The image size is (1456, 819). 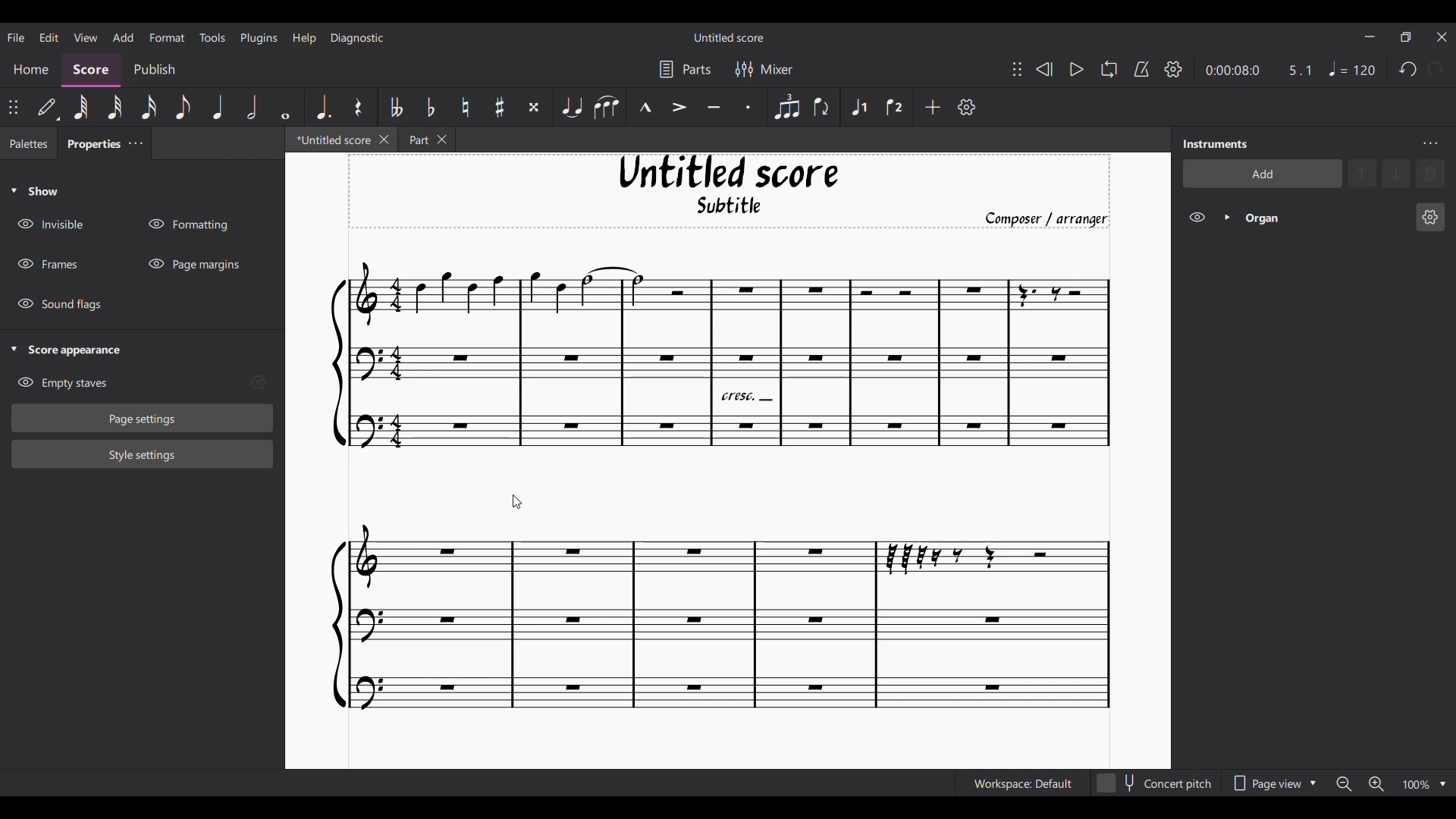 What do you see at coordinates (1043, 69) in the screenshot?
I see `Rewind` at bounding box center [1043, 69].